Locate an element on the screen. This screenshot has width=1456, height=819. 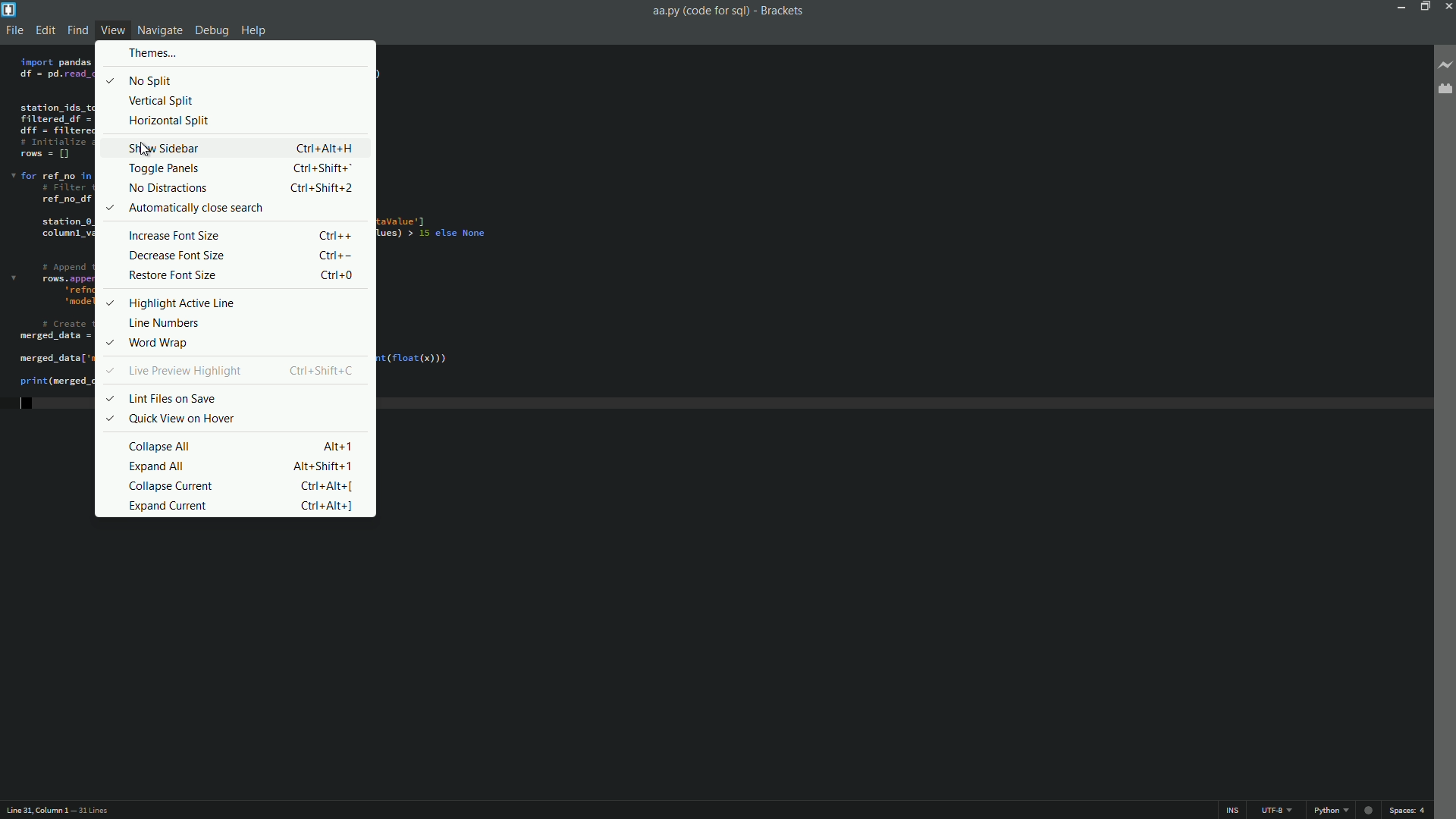
automatically close search is located at coordinates (183, 207).